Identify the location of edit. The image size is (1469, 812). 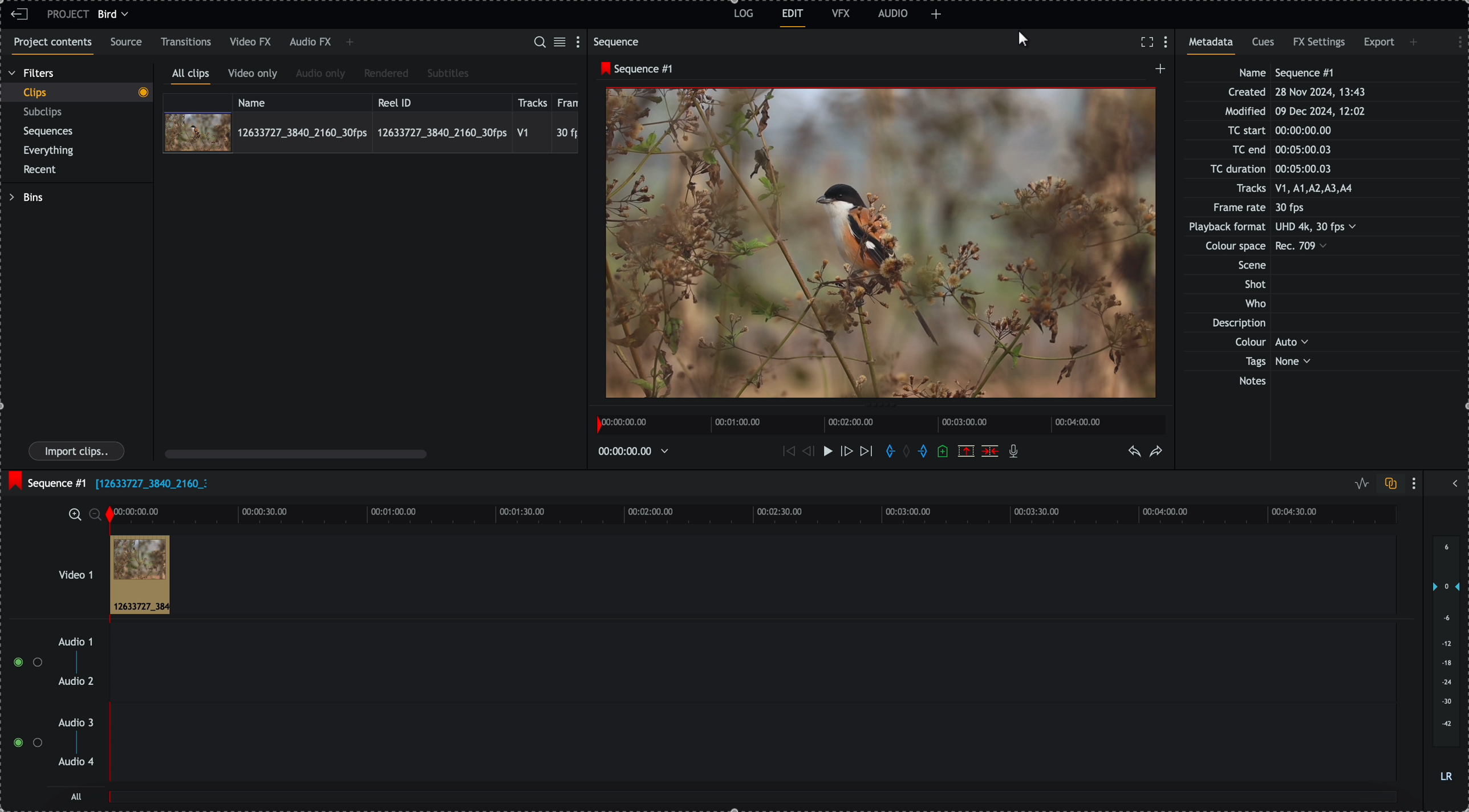
(793, 18).